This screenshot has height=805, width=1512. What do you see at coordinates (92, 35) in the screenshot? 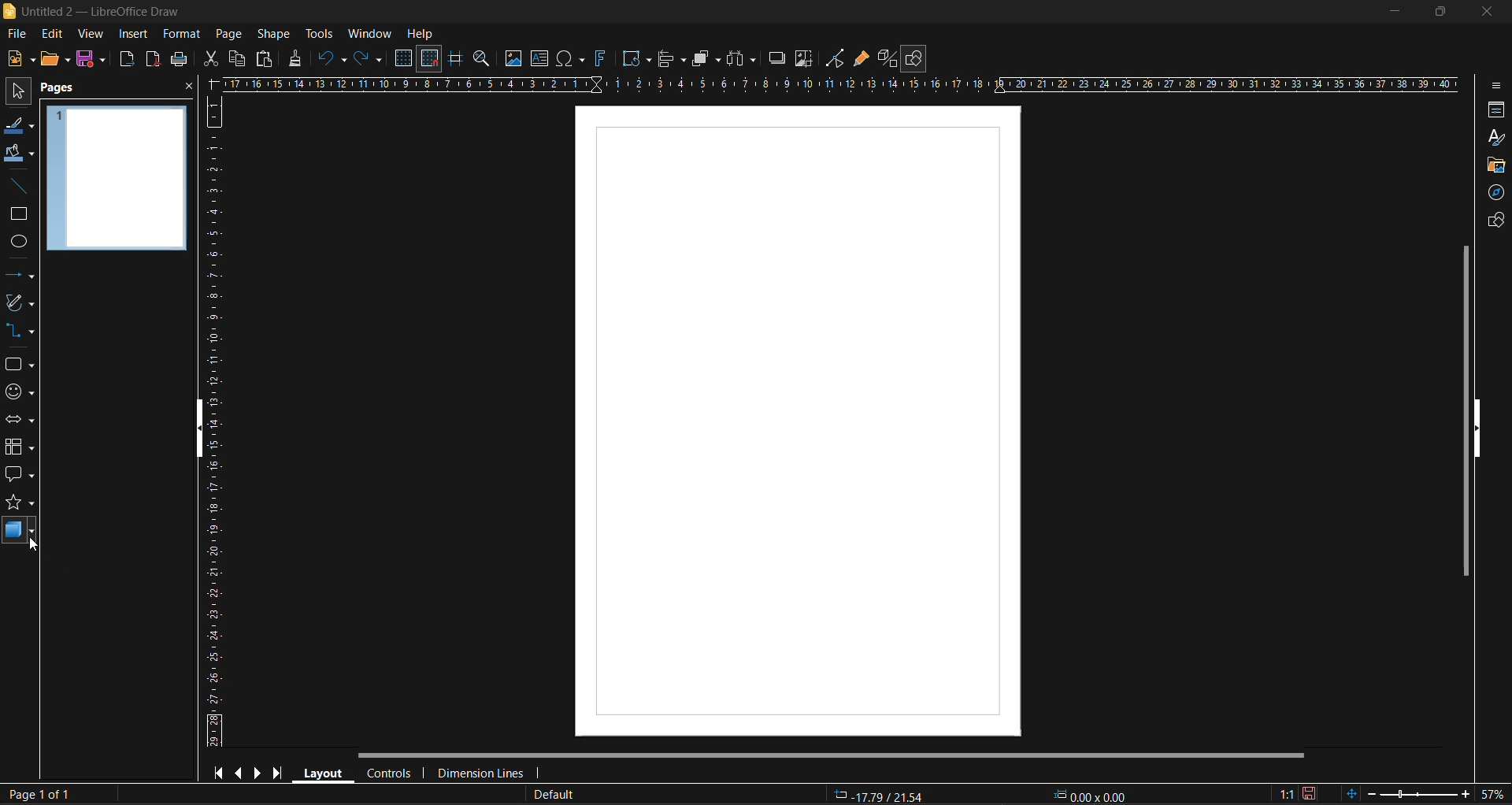
I see `view` at bounding box center [92, 35].